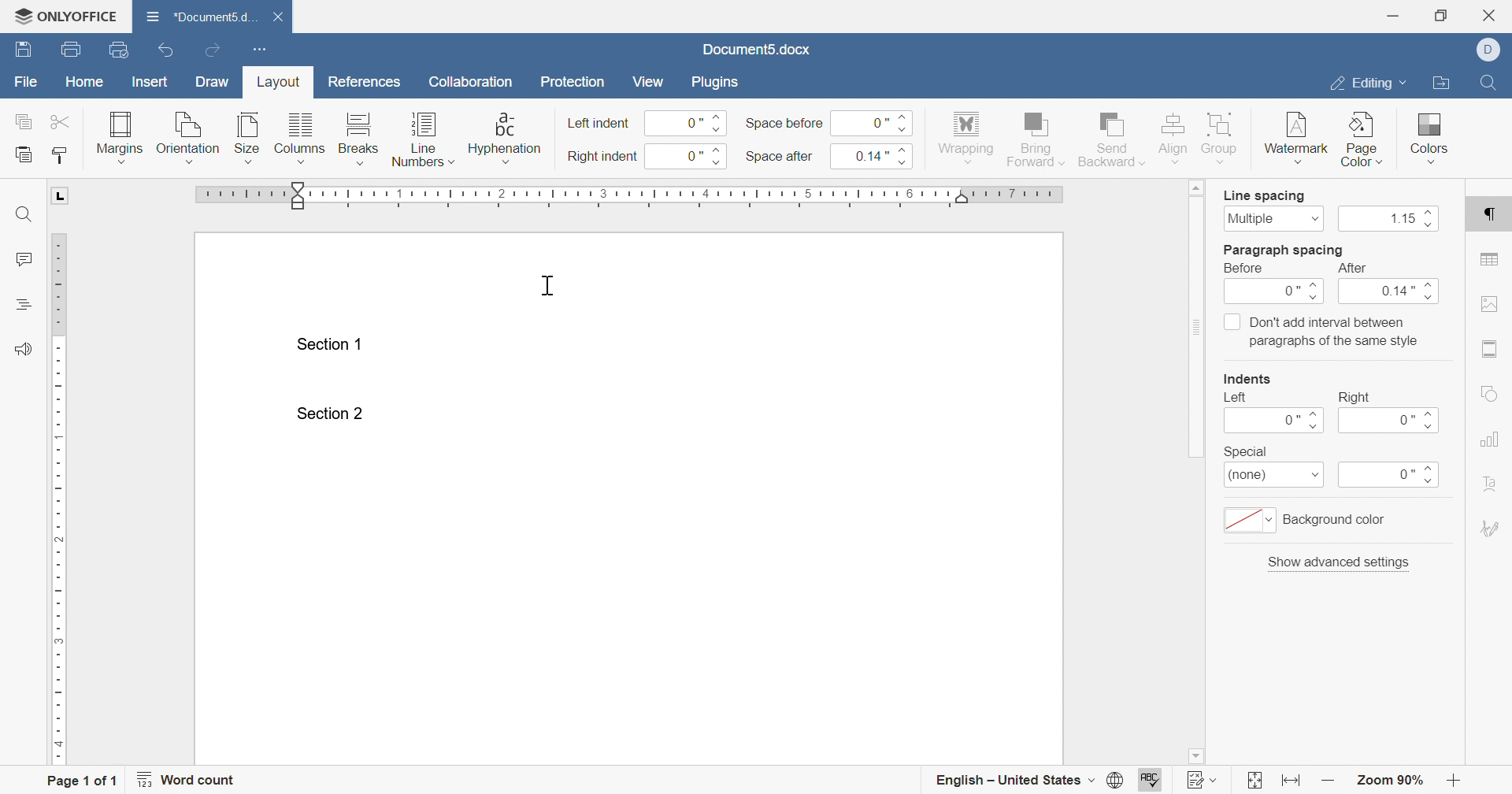  Describe the element at coordinates (546, 284) in the screenshot. I see `cursor` at that location.